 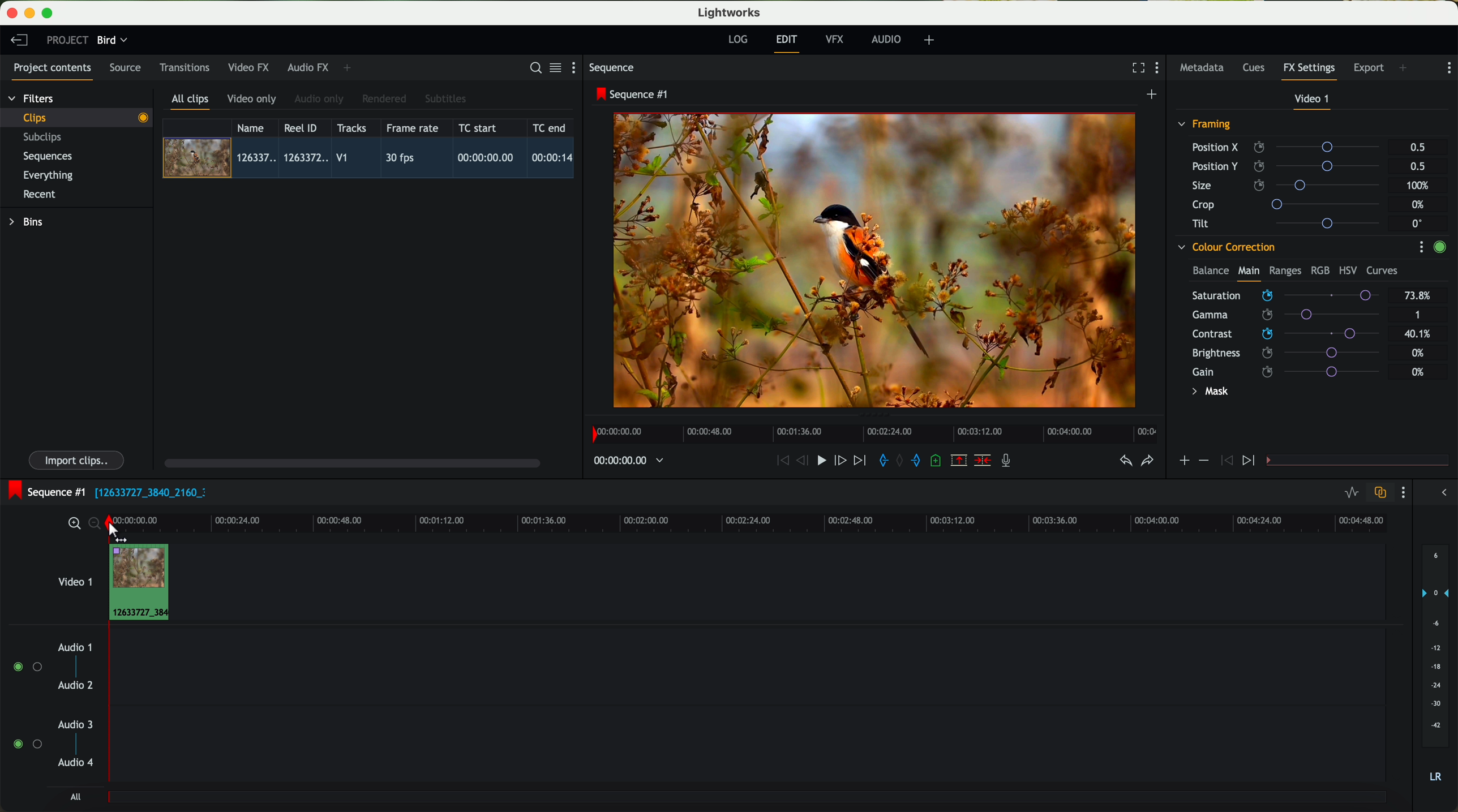 I want to click on nudge one frame foward, so click(x=842, y=461).